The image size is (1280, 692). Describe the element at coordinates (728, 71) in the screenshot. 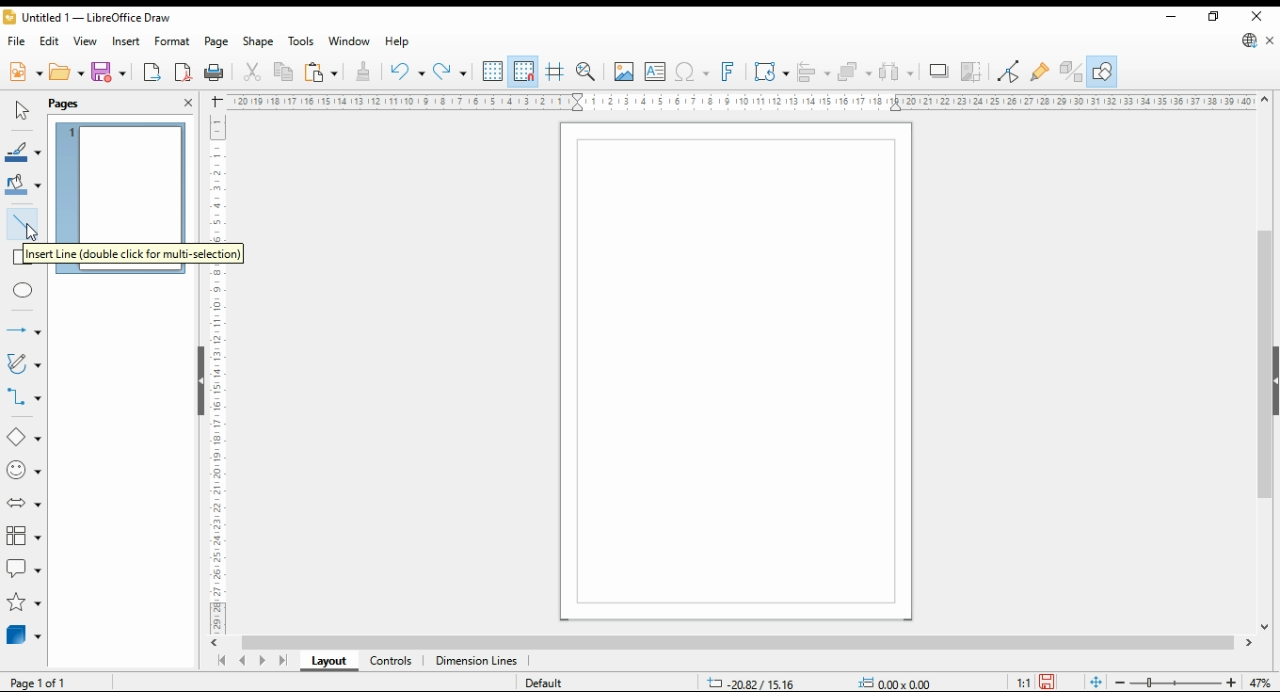

I see `insert fontwork text` at that location.